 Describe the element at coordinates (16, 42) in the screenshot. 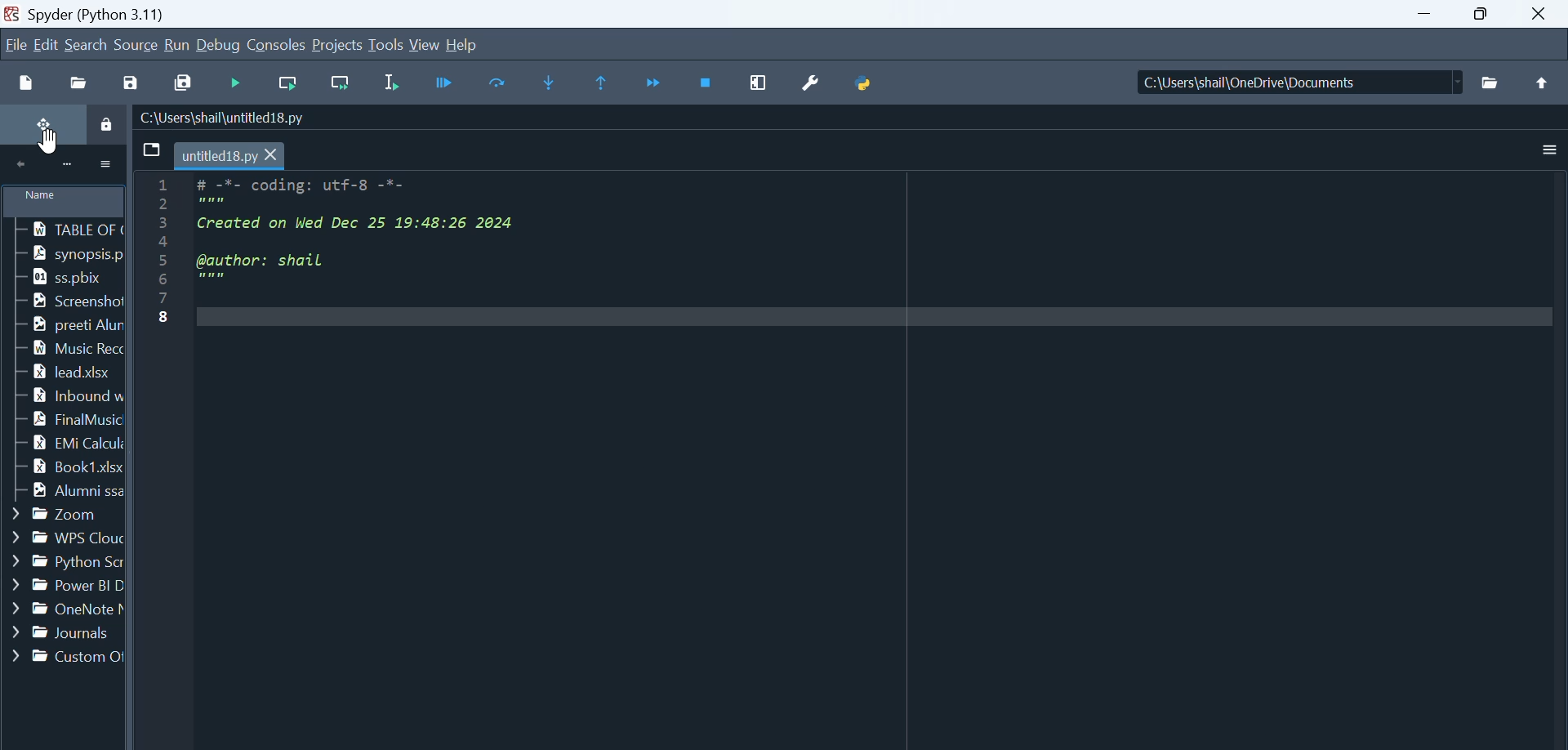

I see `File` at that location.